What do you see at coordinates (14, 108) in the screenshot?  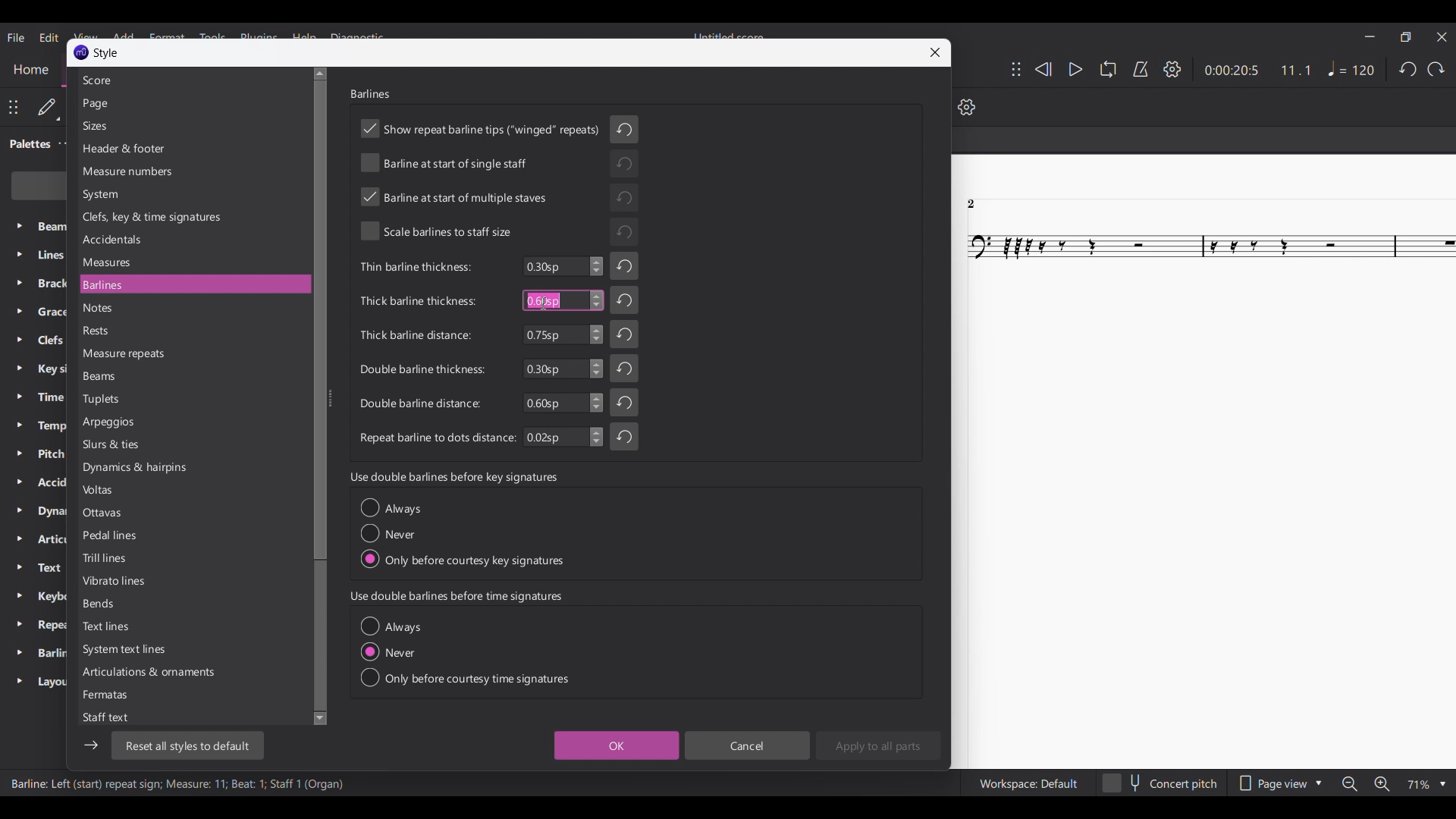 I see `Change toolbar position` at bounding box center [14, 108].